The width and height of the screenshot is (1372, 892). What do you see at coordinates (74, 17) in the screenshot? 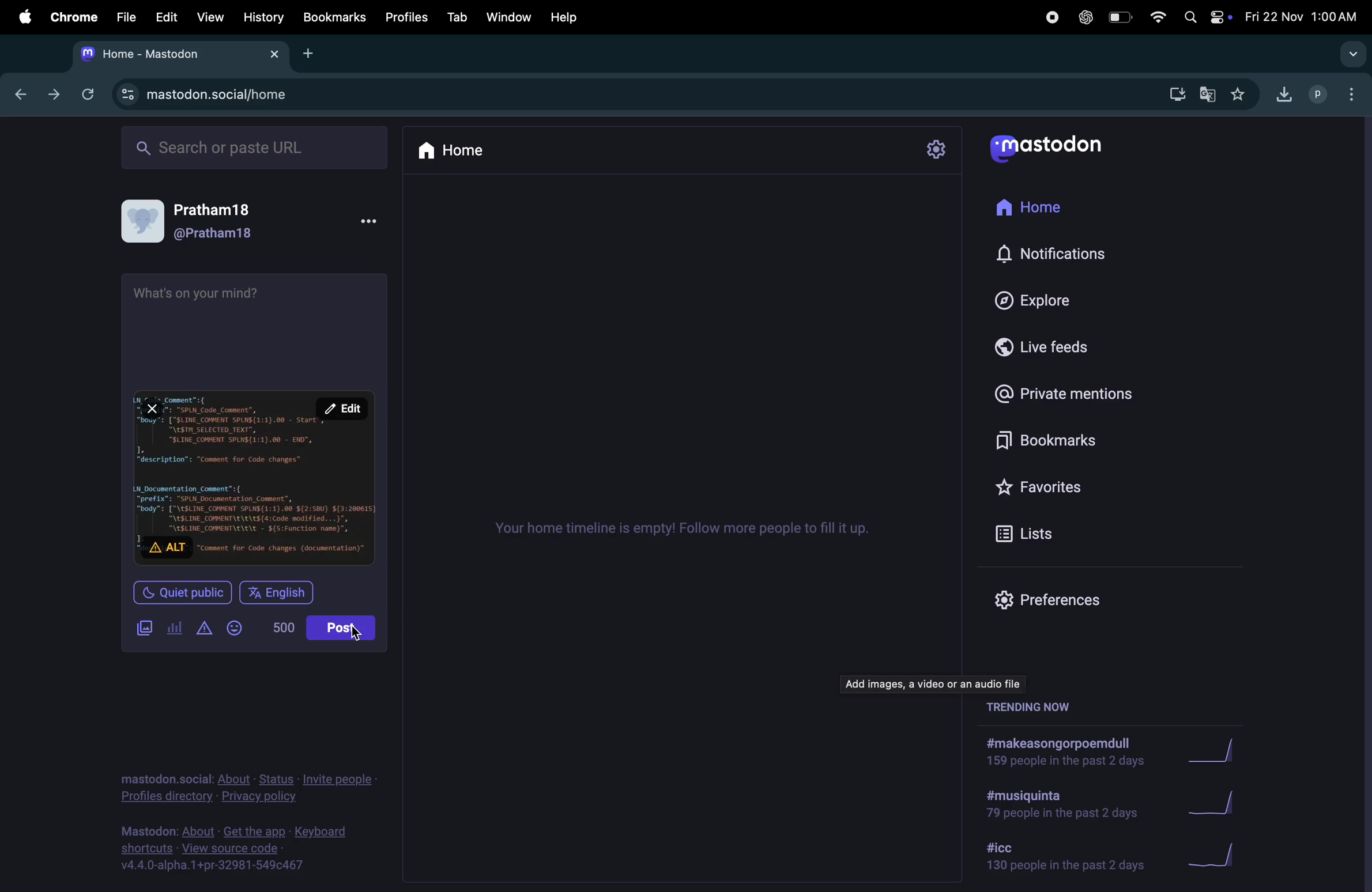
I see `chrome` at bounding box center [74, 17].